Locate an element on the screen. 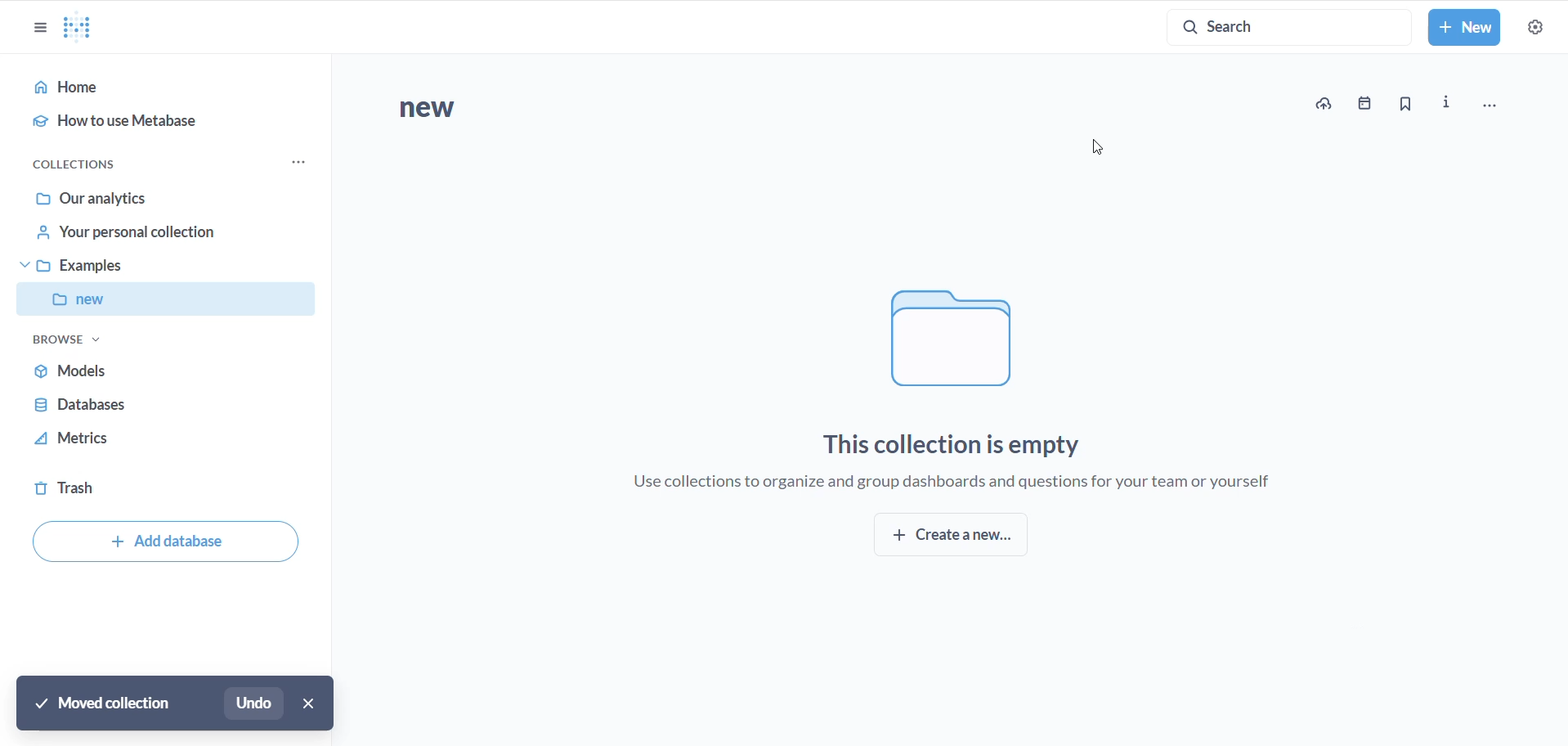 The width and height of the screenshot is (1568, 746). settings  is located at coordinates (1537, 29).